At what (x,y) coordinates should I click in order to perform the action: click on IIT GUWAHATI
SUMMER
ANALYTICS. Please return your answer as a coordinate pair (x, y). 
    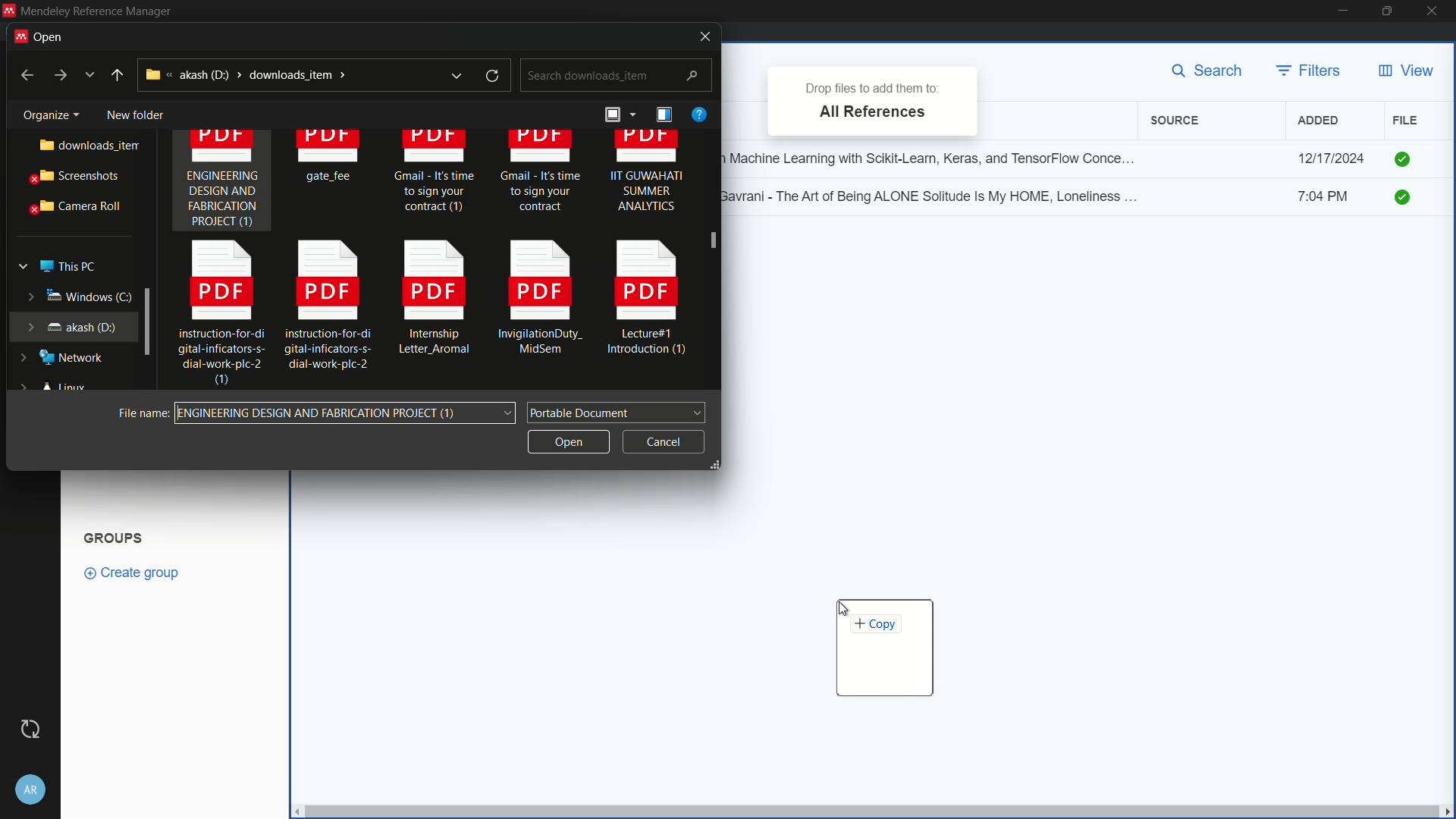
    Looking at the image, I should click on (647, 178).